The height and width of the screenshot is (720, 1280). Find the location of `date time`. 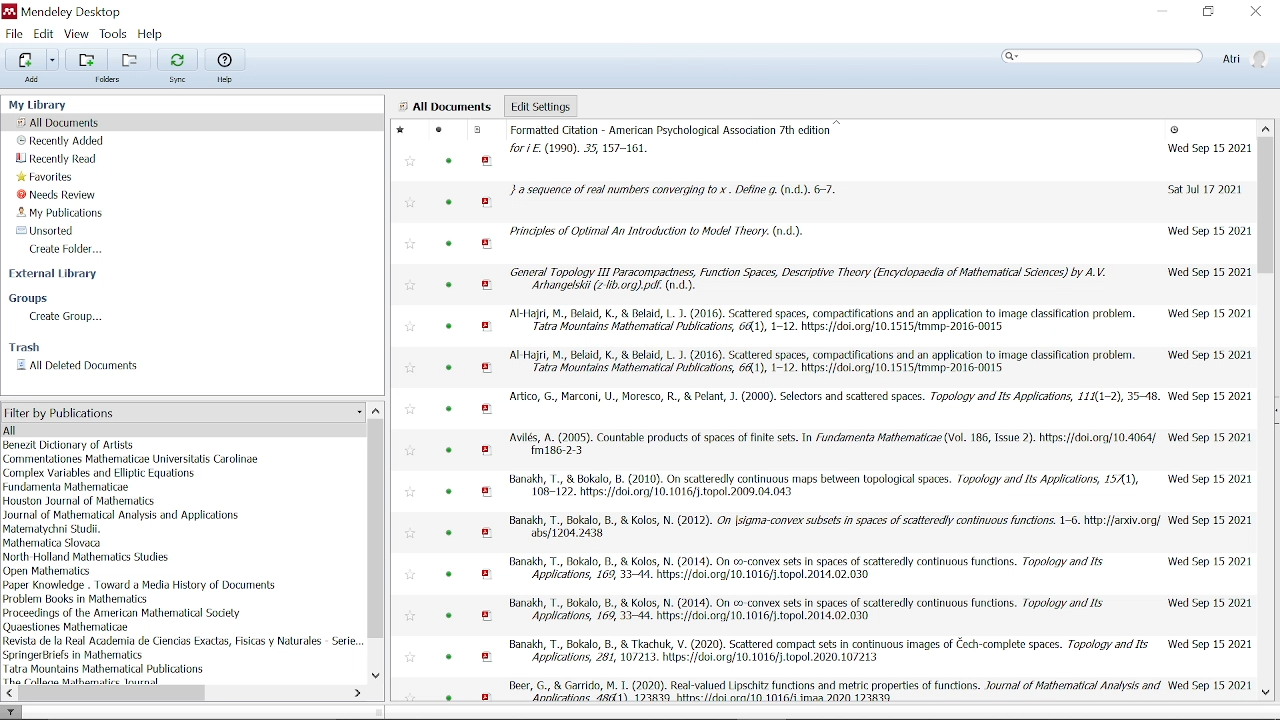

date time is located at coordinates (1210, 685).